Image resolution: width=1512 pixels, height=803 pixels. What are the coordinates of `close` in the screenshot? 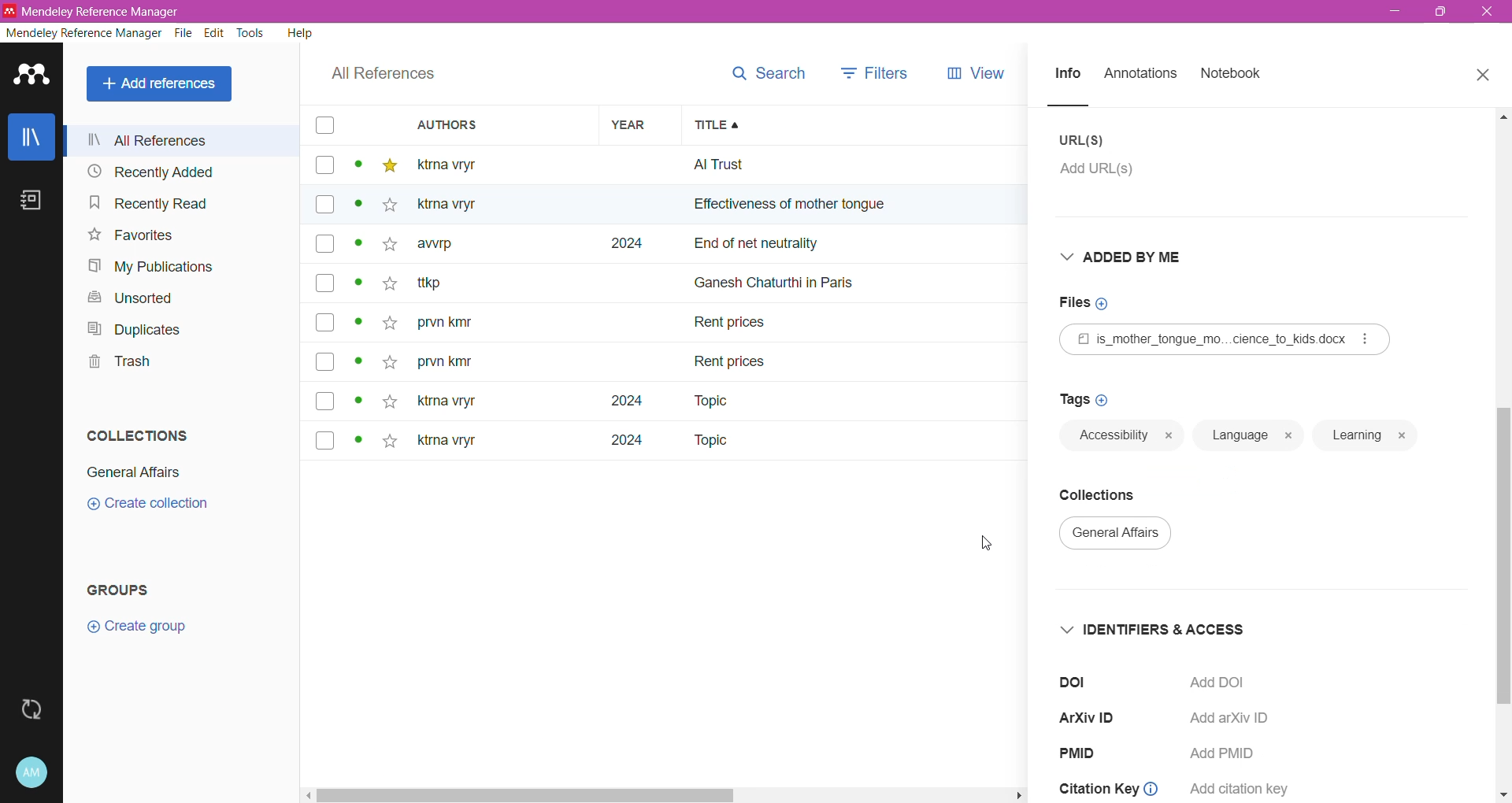 It's located at (1169, 436).